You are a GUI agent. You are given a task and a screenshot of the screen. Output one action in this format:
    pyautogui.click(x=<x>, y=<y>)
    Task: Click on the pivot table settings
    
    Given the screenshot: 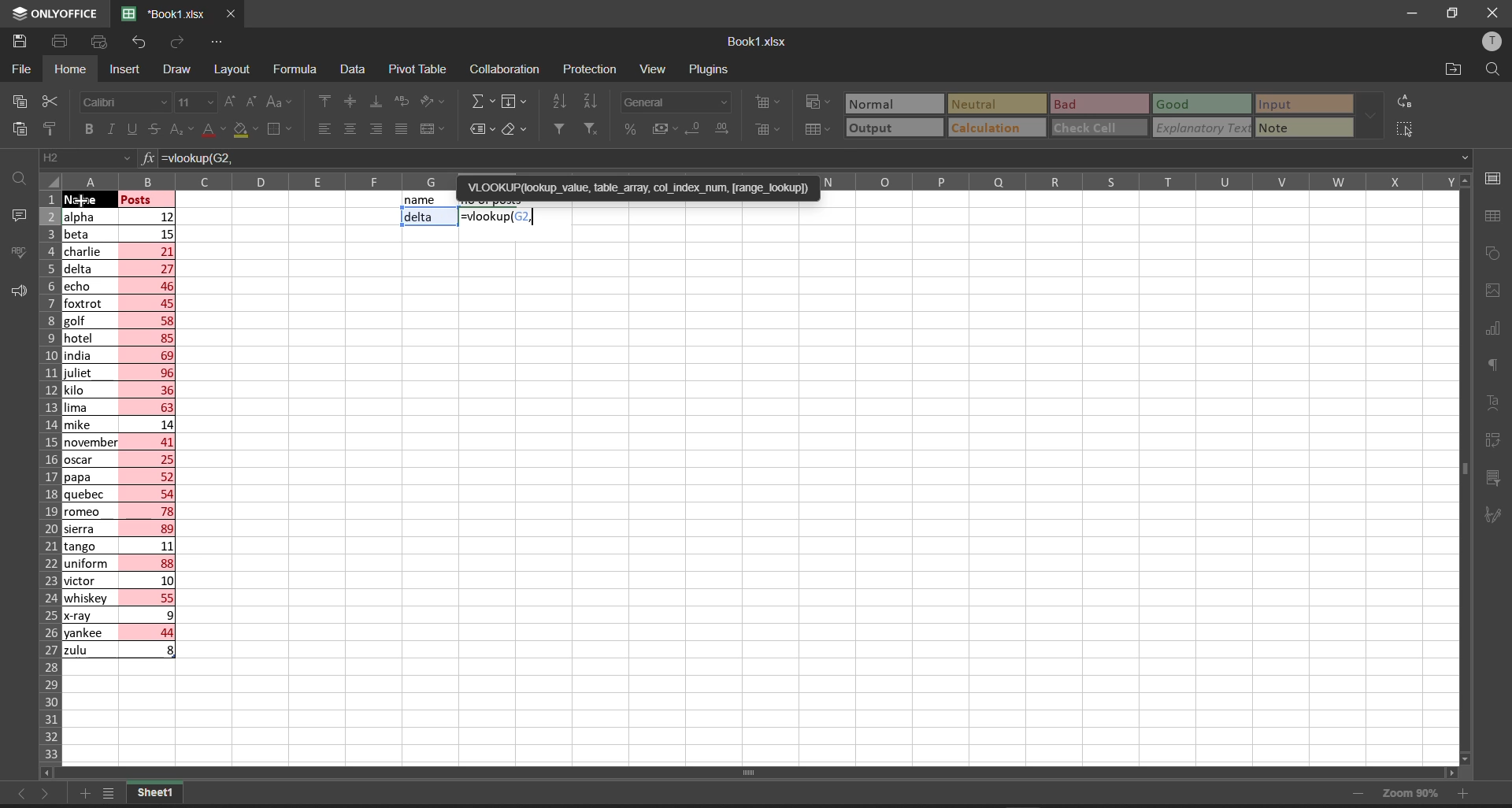 What is the action you would take?
    pyautogui.click(x=1498, y=439)
    